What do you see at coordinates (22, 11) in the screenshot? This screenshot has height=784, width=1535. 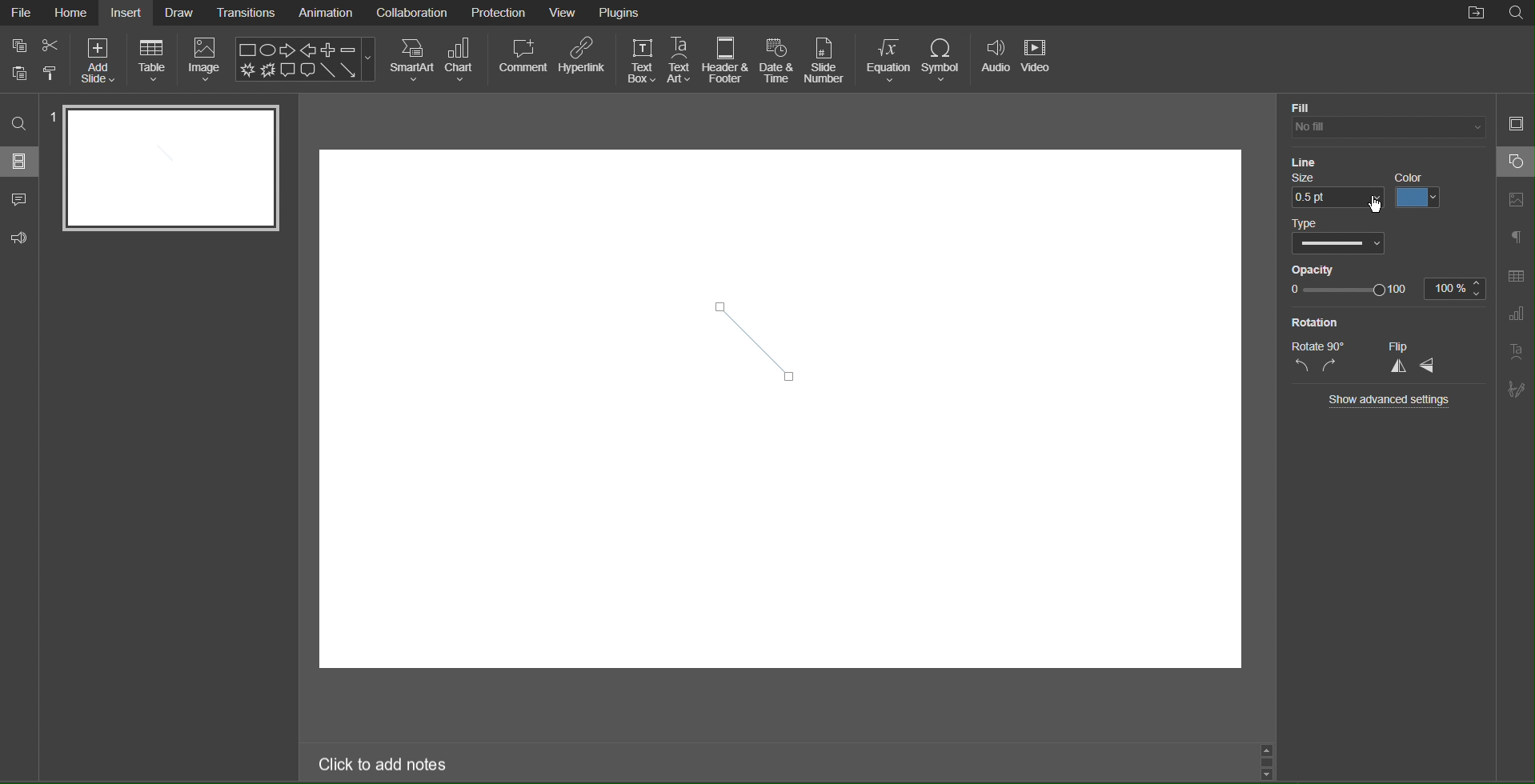 I see `File ` at bounding box center [22, 11].